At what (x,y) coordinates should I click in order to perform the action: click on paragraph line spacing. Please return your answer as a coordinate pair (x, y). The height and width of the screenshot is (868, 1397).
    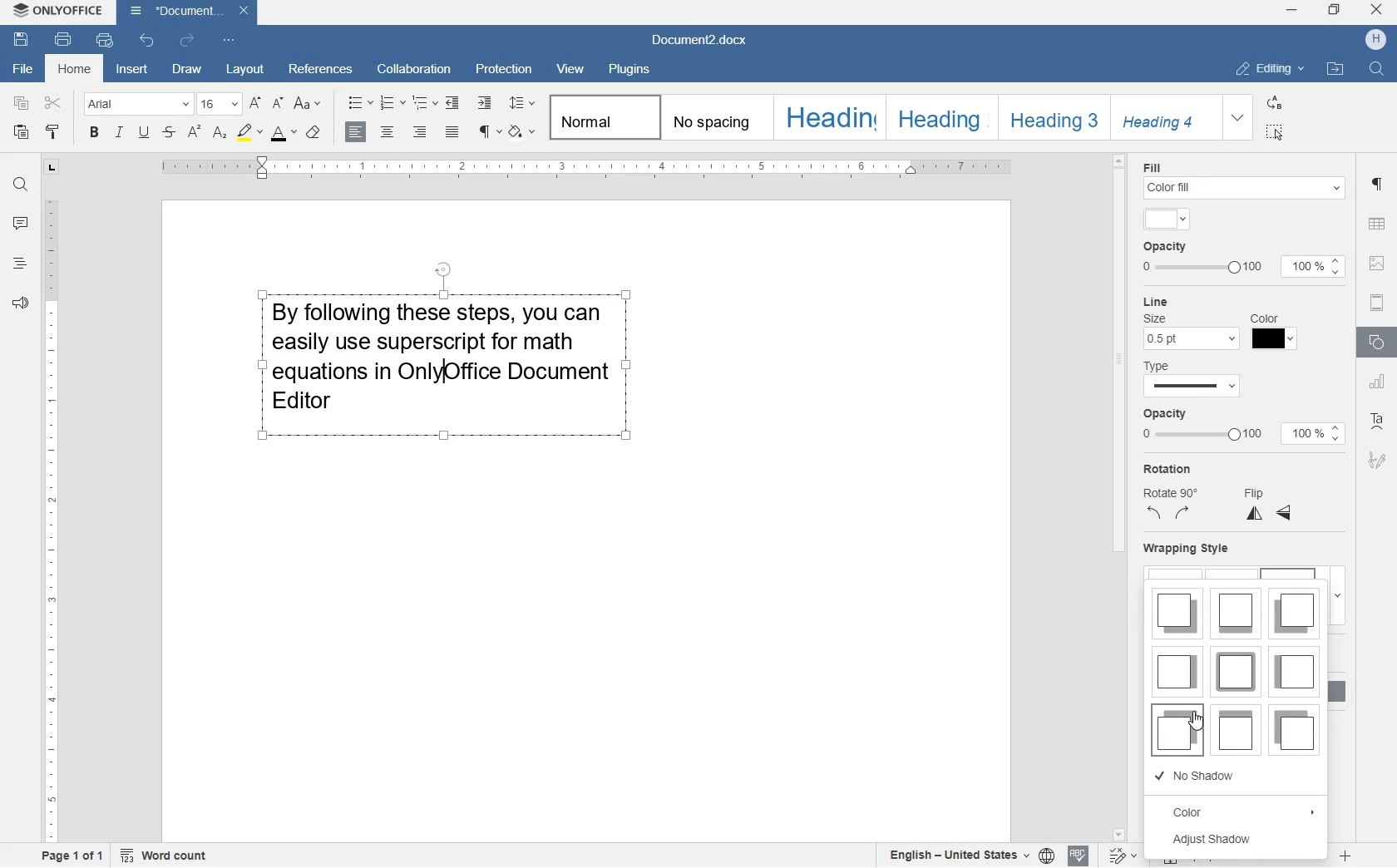
    Looking at the image, I should click on (523, 101).